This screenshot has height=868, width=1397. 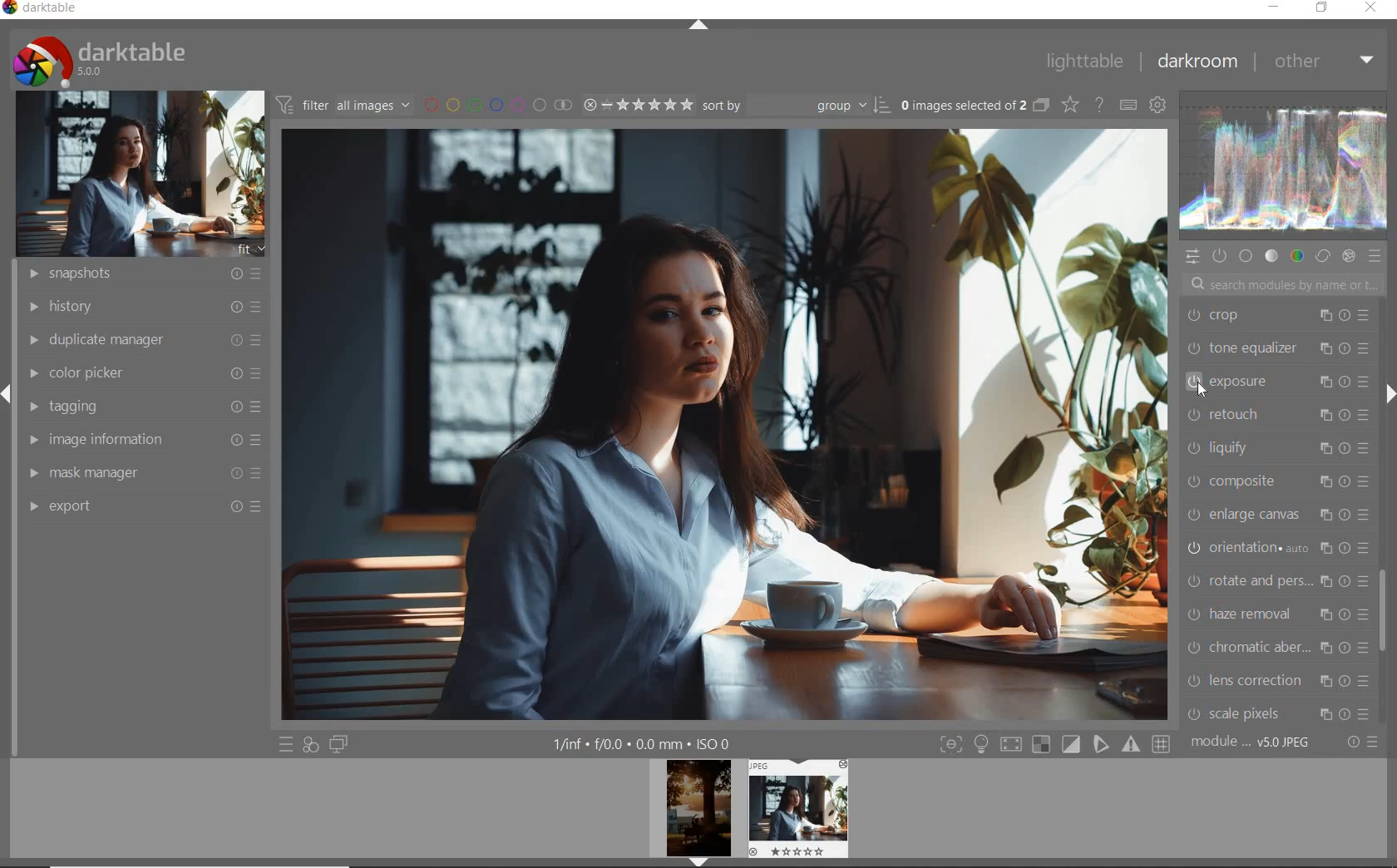 What do you see at coordinates (1159, 105) in the screenshot?
I see `SHOW GLOBAL PREFERENCE` at bounding box center [1159, 105].